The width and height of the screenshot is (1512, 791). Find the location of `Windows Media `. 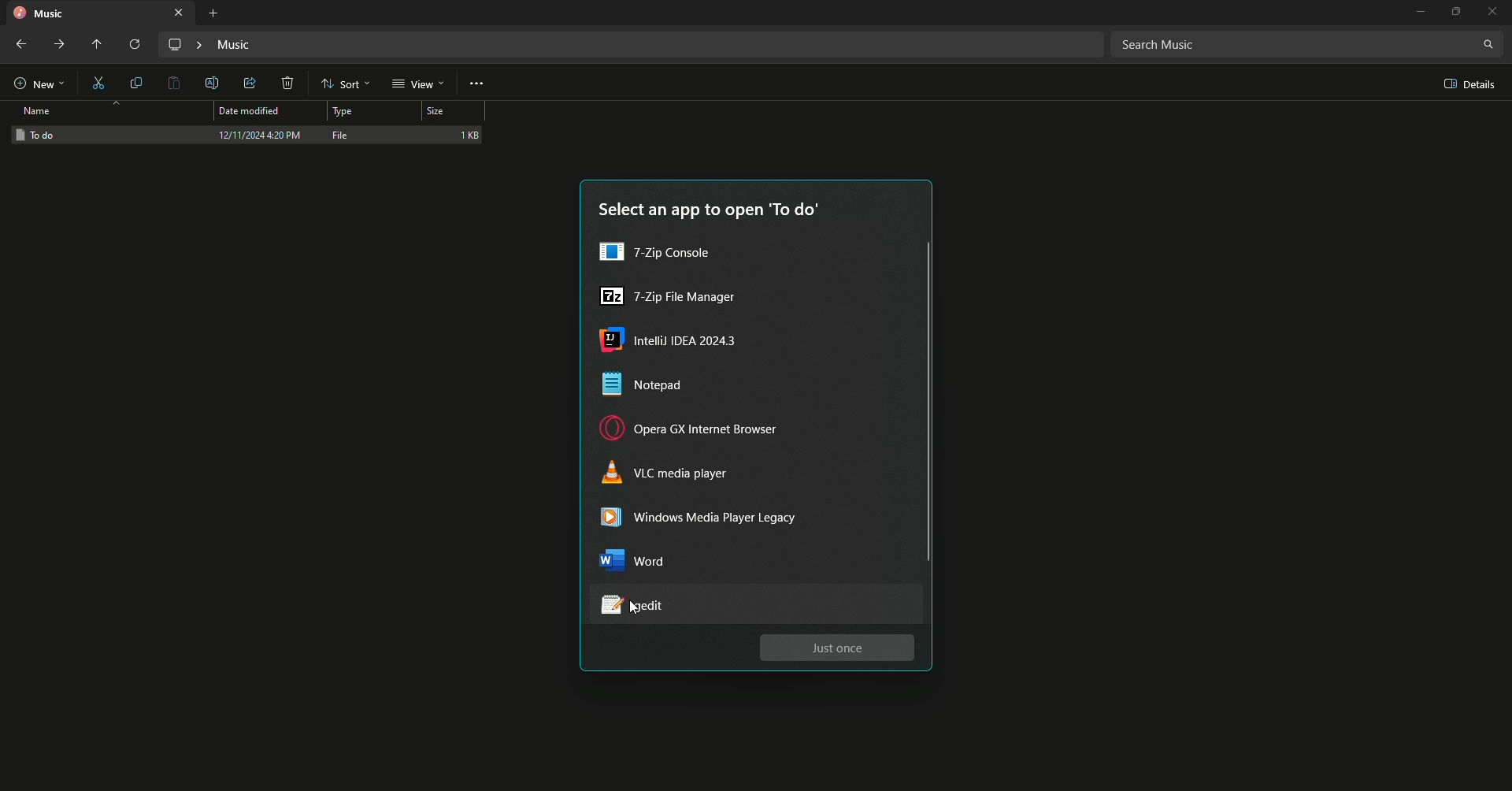

Windows Media  is located at coordinates (714, 521).